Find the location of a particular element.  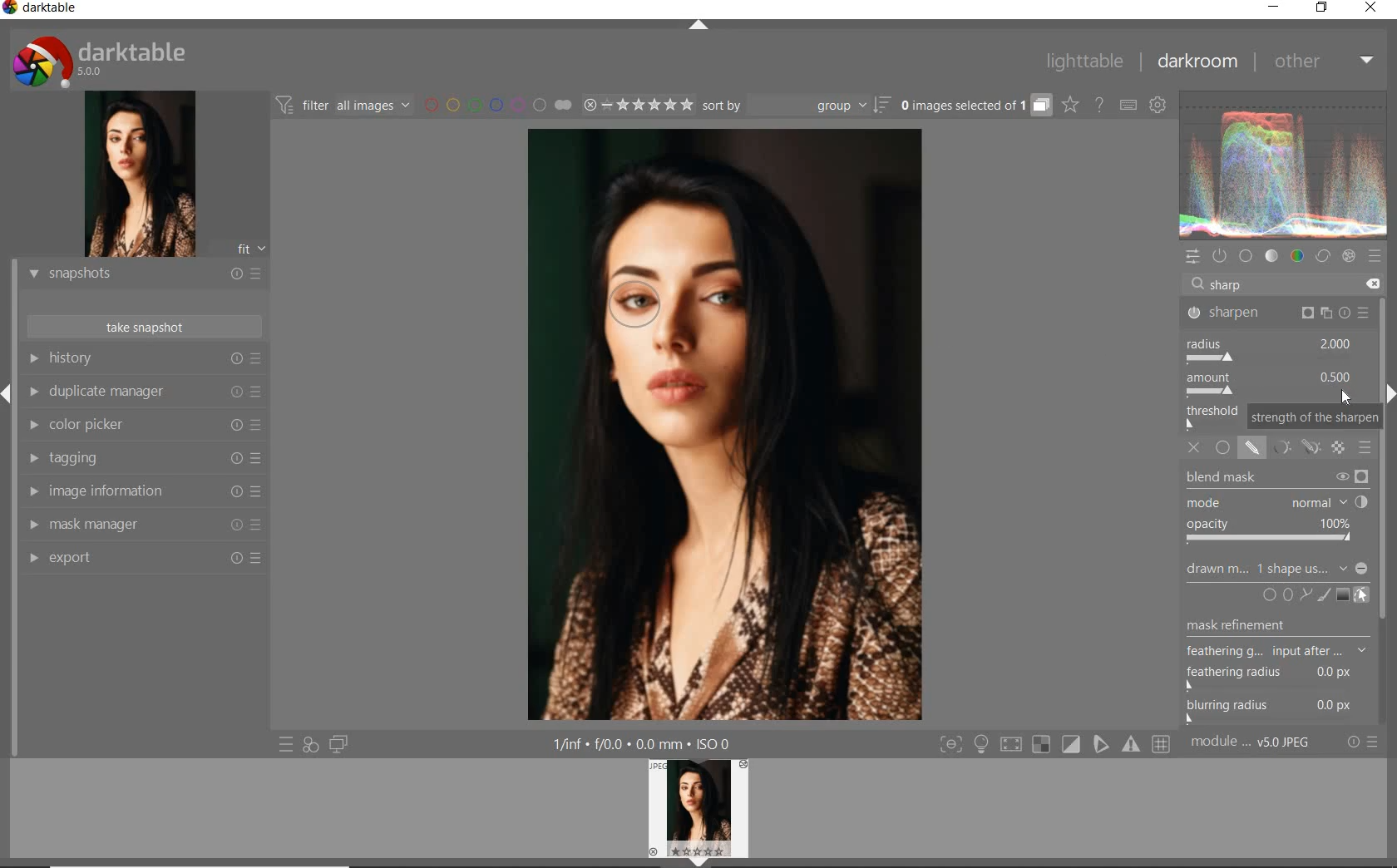

dropdown is located at coordinates (1343, 568).